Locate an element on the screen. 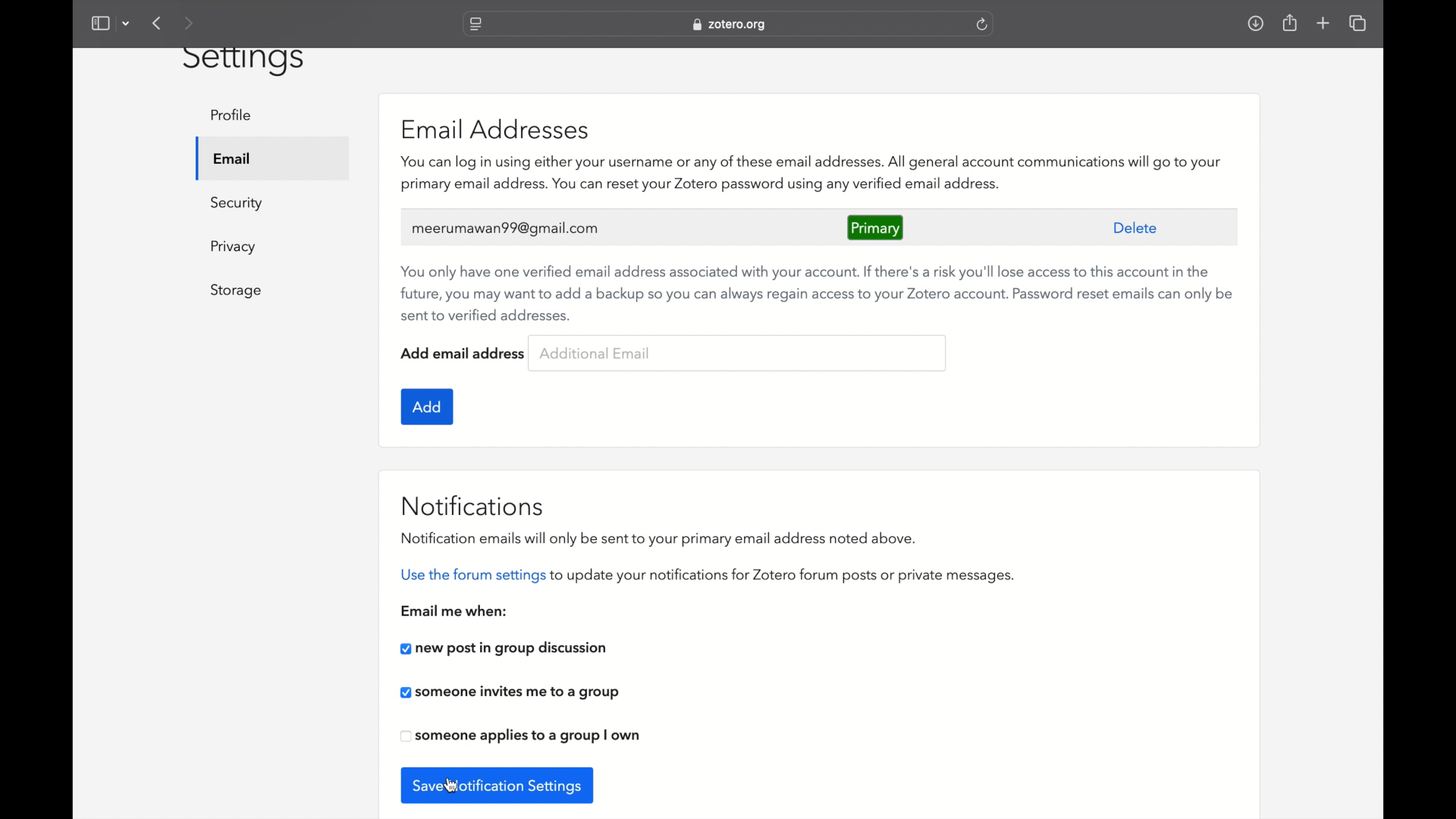 Image resolution: width=1456 pixels, height=819 pixels. notification emails will only be sent to your primary email address noted above is located at coordinates (655, 539).